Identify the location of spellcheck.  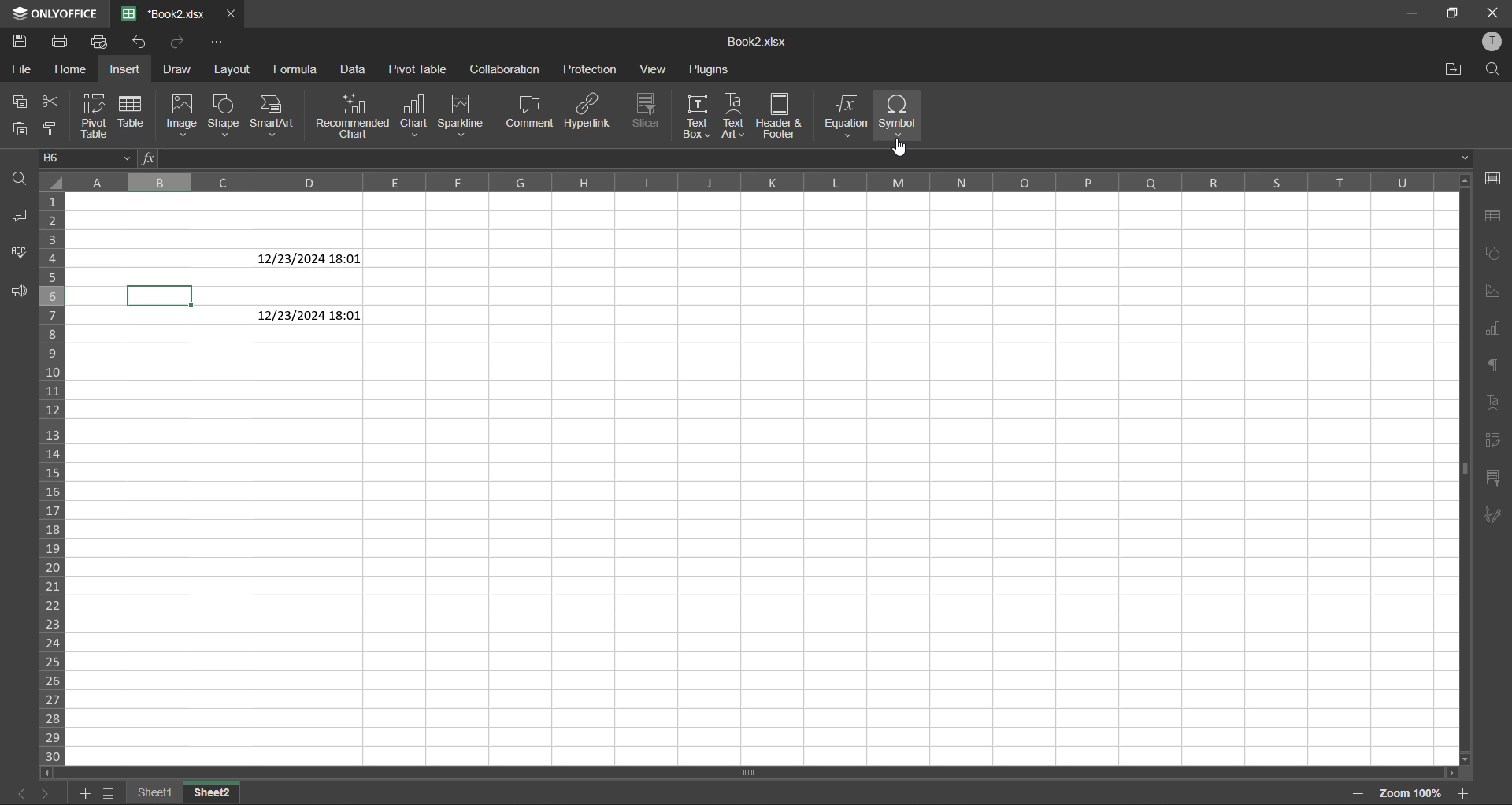
(21, 254).